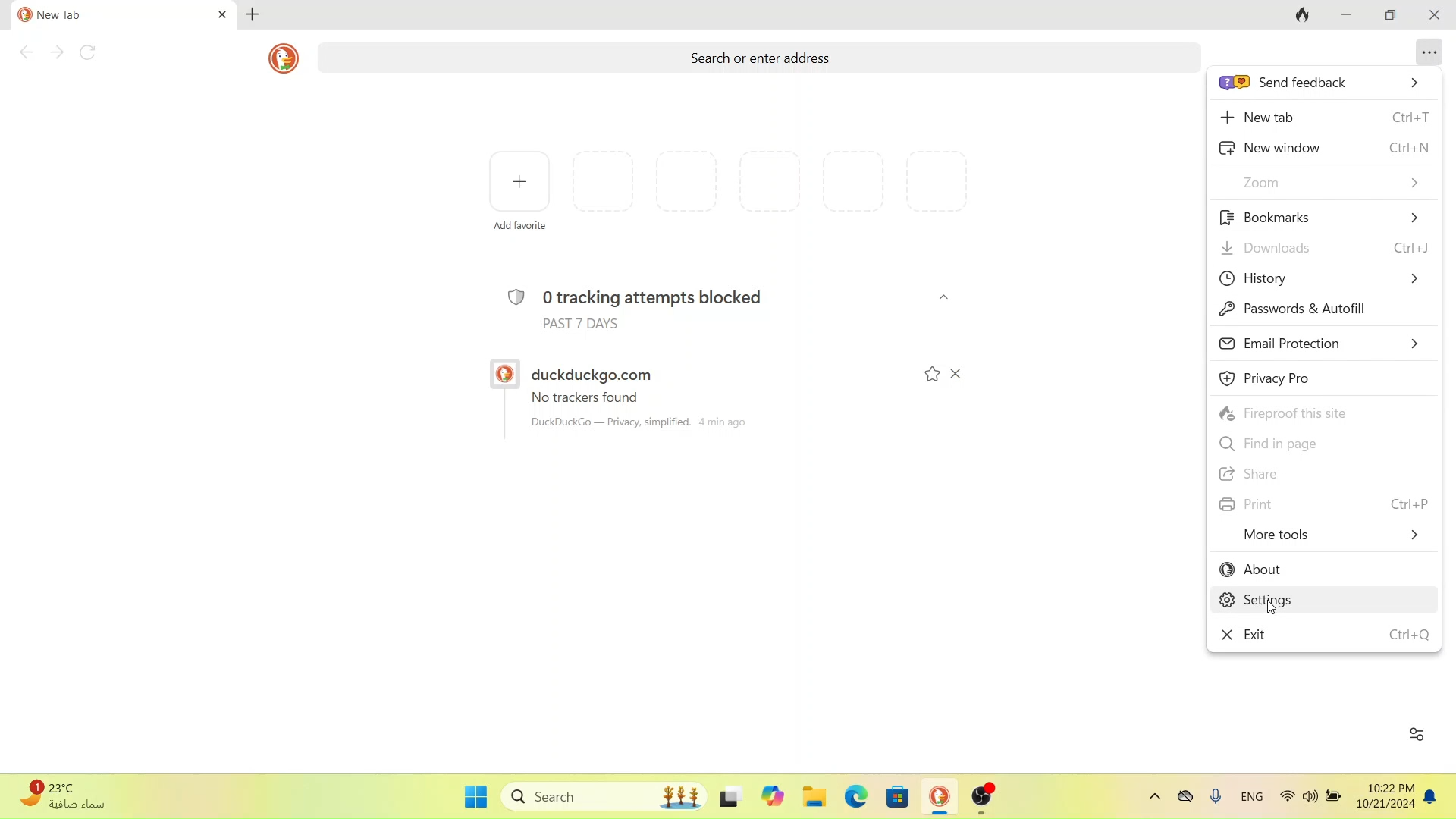 This screenshot has height=819, width=1456. What do you see at coordinates (711, 303) in the screenshot?
I see `tracker` at bounding box center [711, 303].